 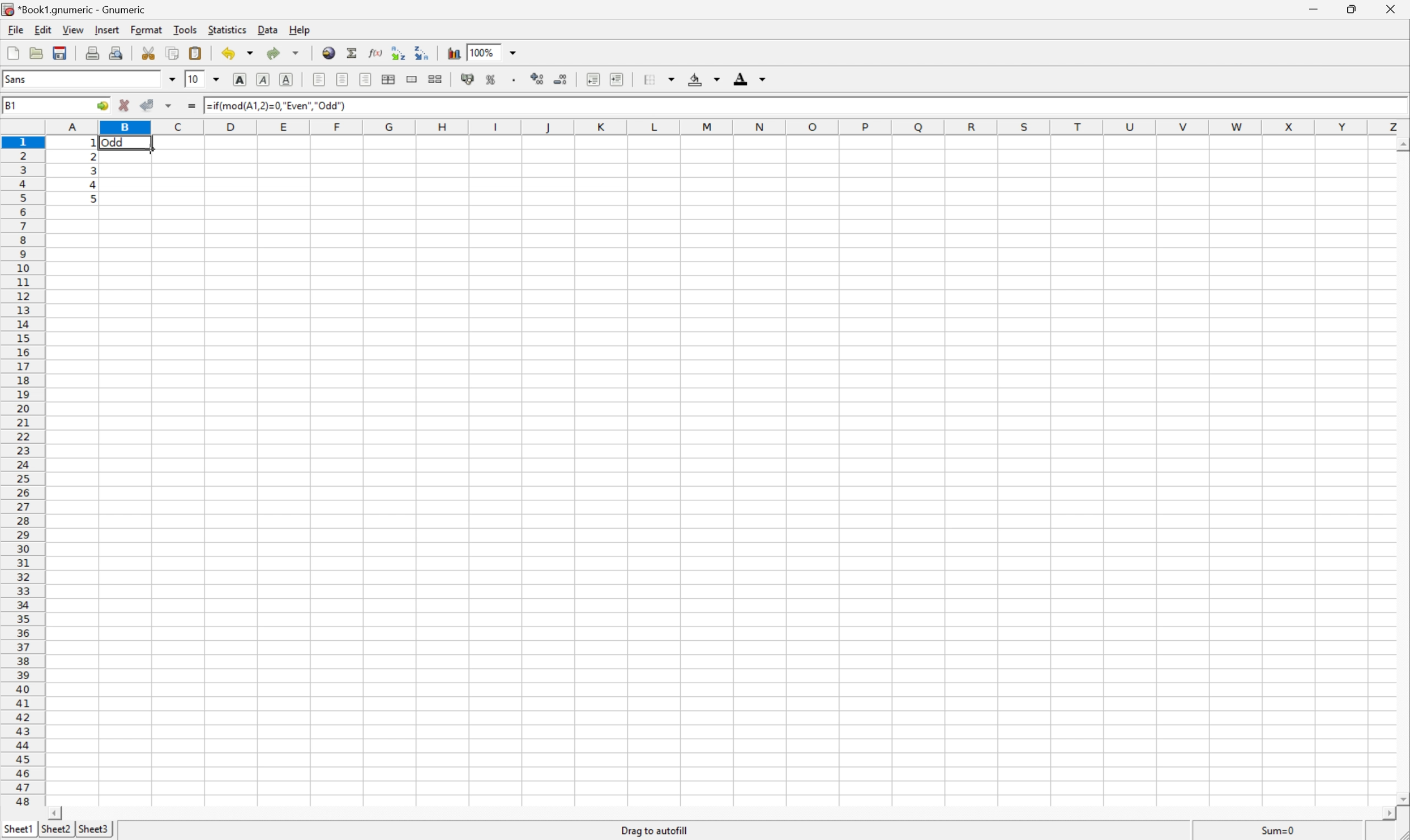 I want to click on =IF(MOD(A1,2)=0,"Even","Odd"), so click(x=280, y=107).